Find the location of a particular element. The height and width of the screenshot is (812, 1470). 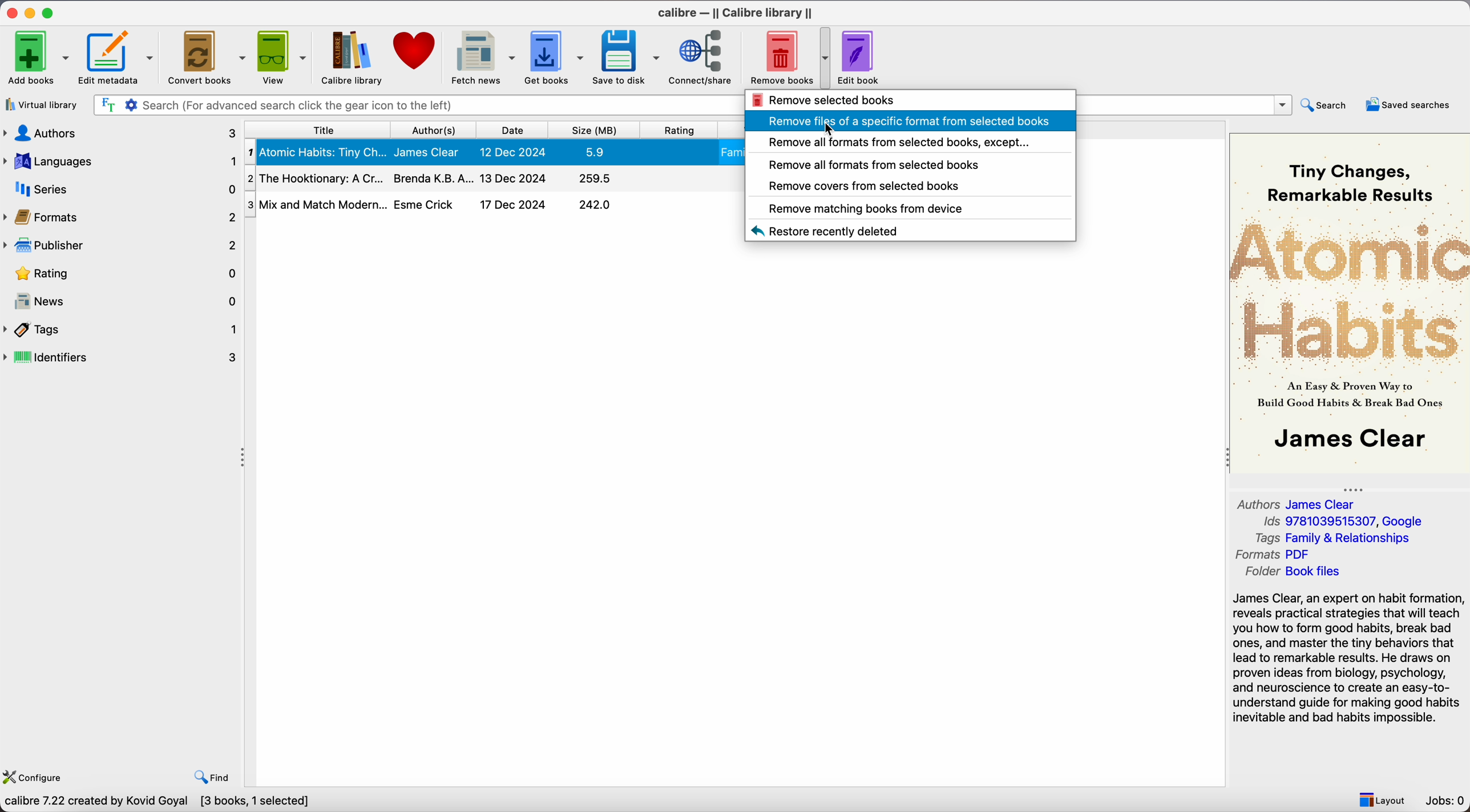

remove selected books is located at coordinates (822, 101).